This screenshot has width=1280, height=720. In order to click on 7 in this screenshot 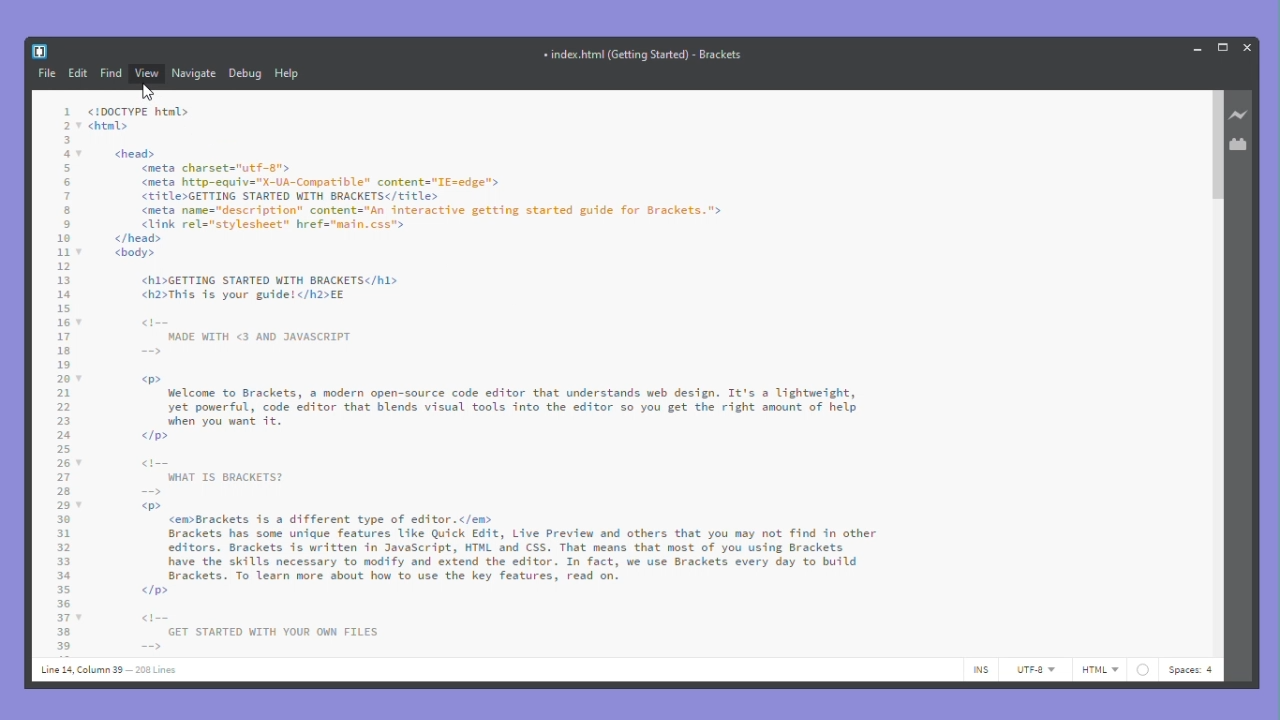, I will do `click(68, 196)`.